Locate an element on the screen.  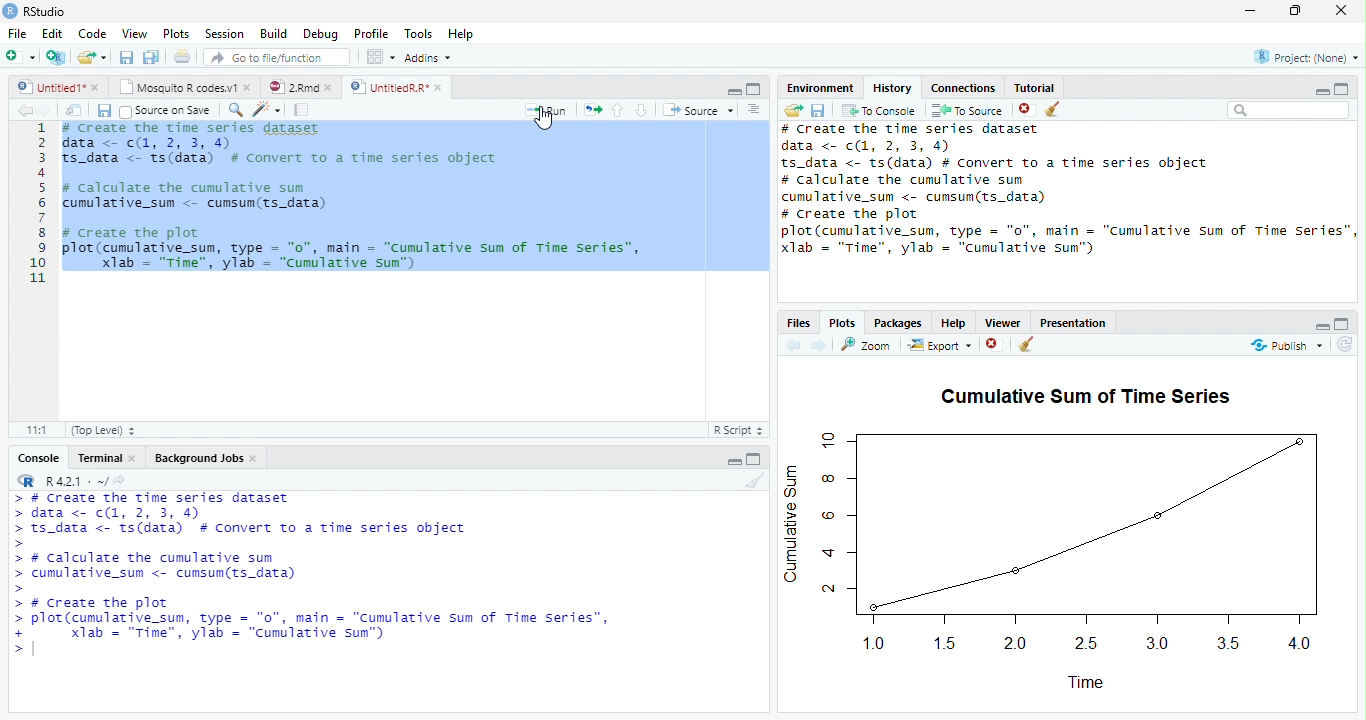
Maximize is located at coordinates (1296, 13).